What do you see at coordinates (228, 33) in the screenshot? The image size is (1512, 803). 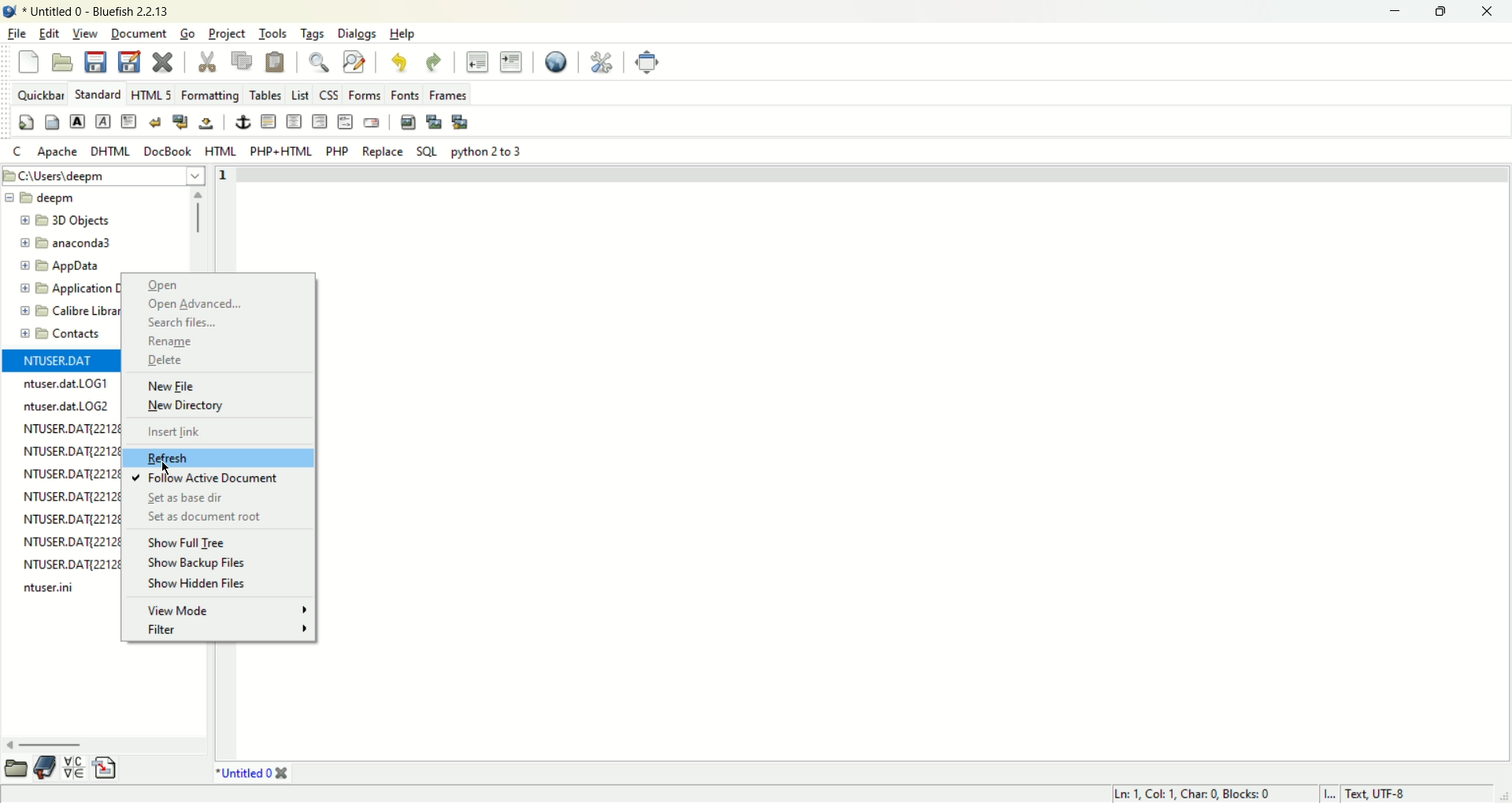 I see `project` at bounding box center [228, 33].